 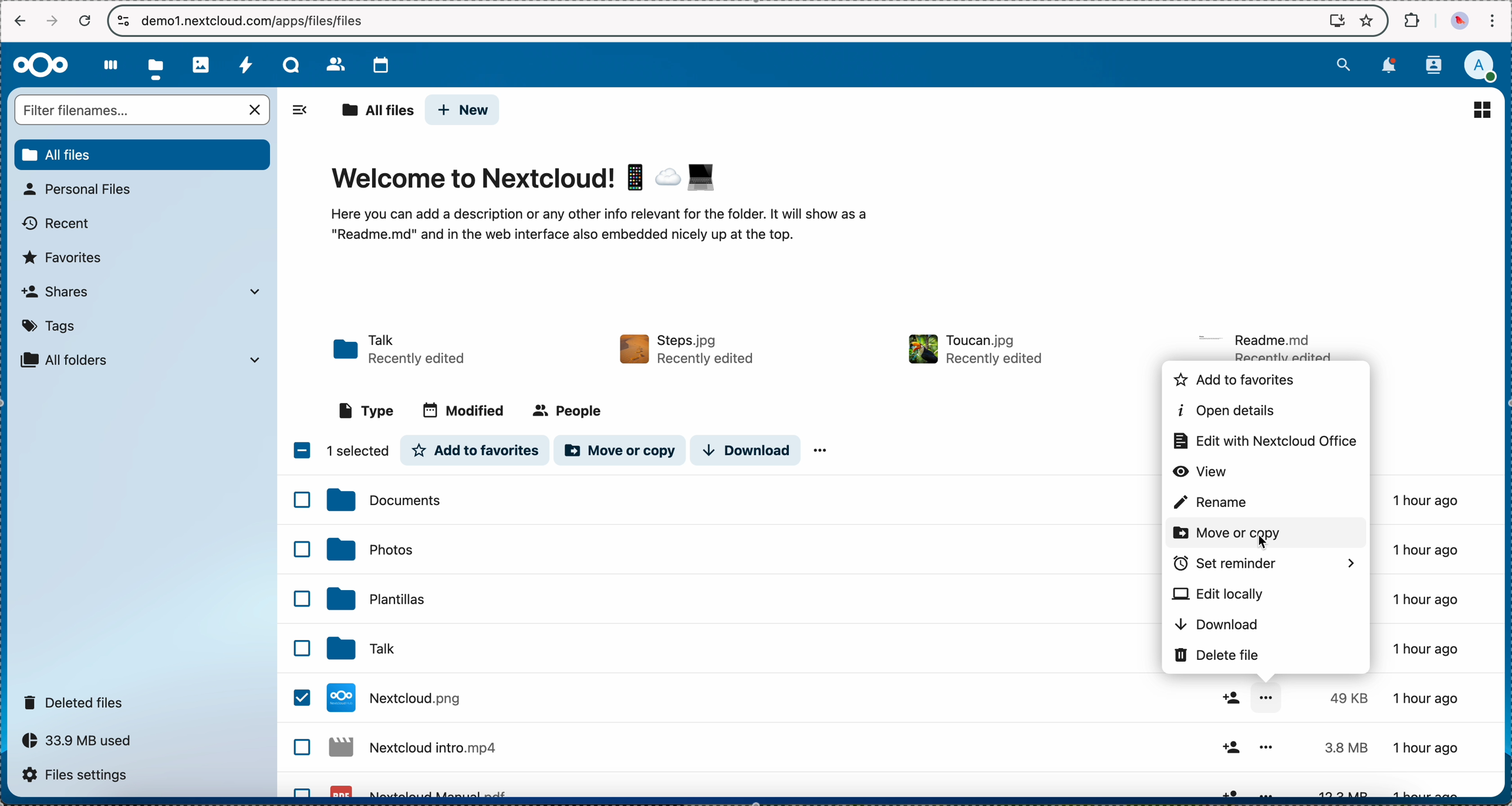 I want to click on notifications, so click(x=1391, y=66).